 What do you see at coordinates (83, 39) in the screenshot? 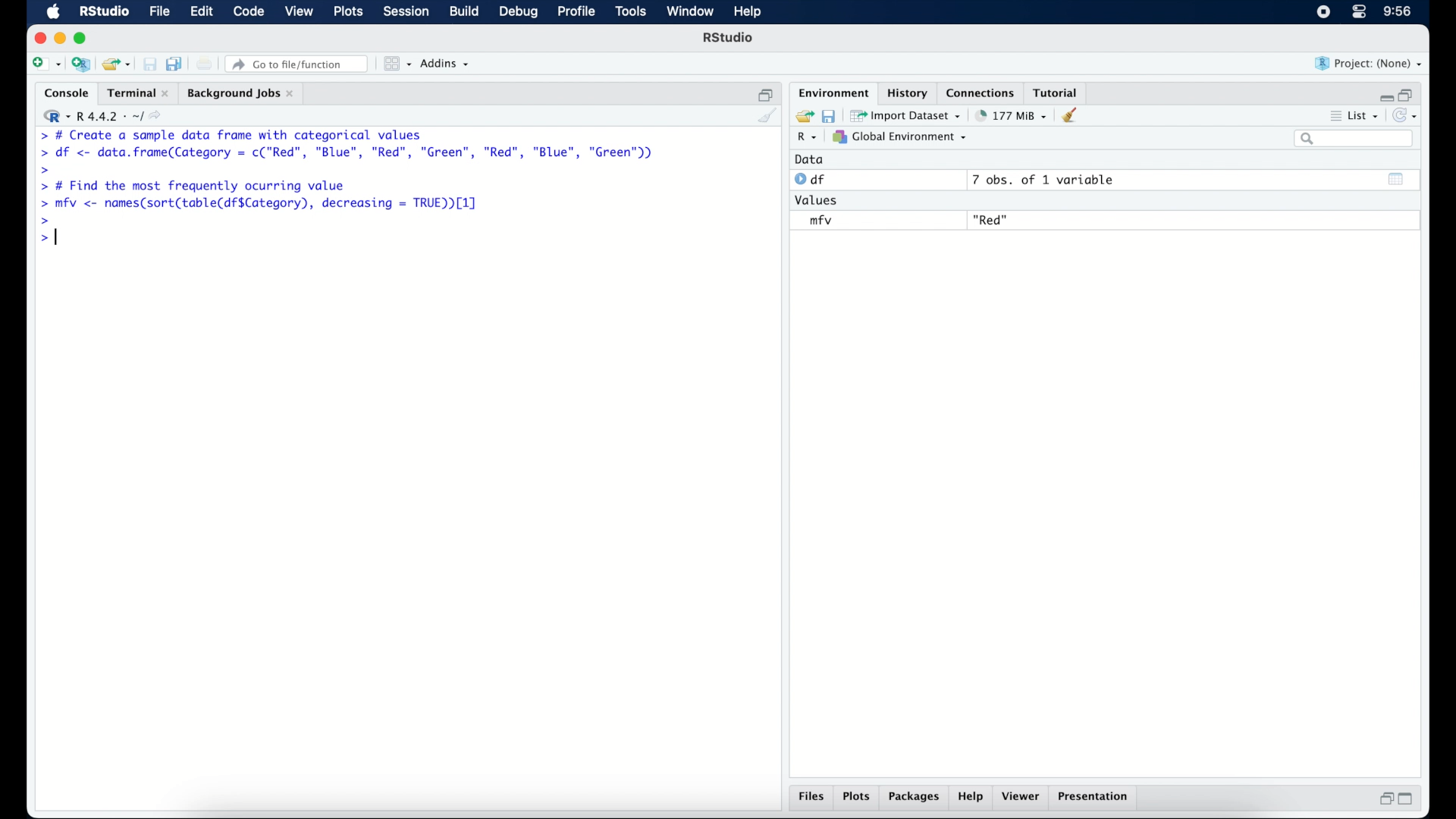
I see `maximize` at bounding box center [83, 39].